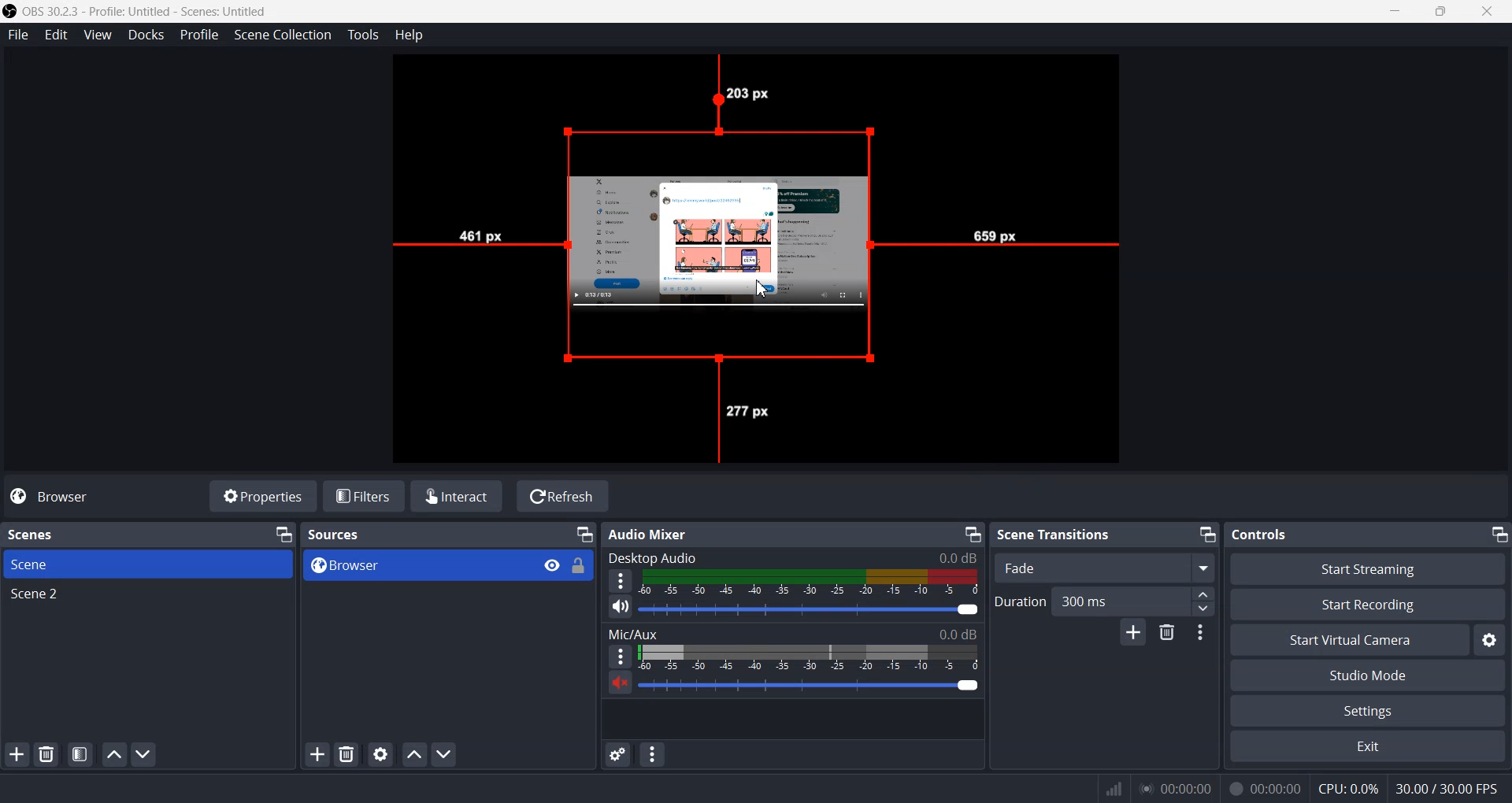  Describe the element at coordinates (1166, 634) in the screenshot. I see `Remove configurable transition` at that location.